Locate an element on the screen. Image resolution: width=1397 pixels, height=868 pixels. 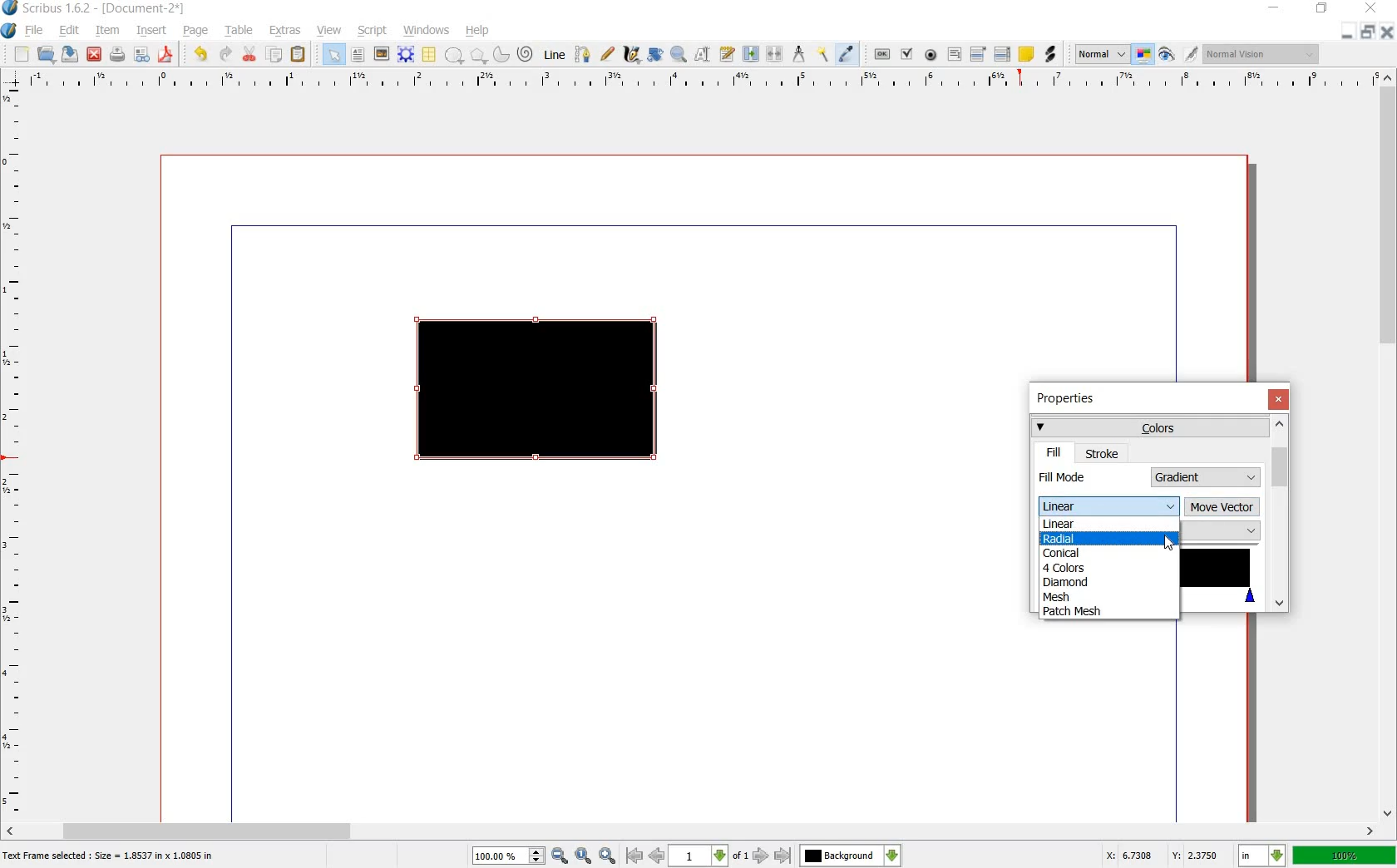
bezier curve is located at coordinates (584, 56).